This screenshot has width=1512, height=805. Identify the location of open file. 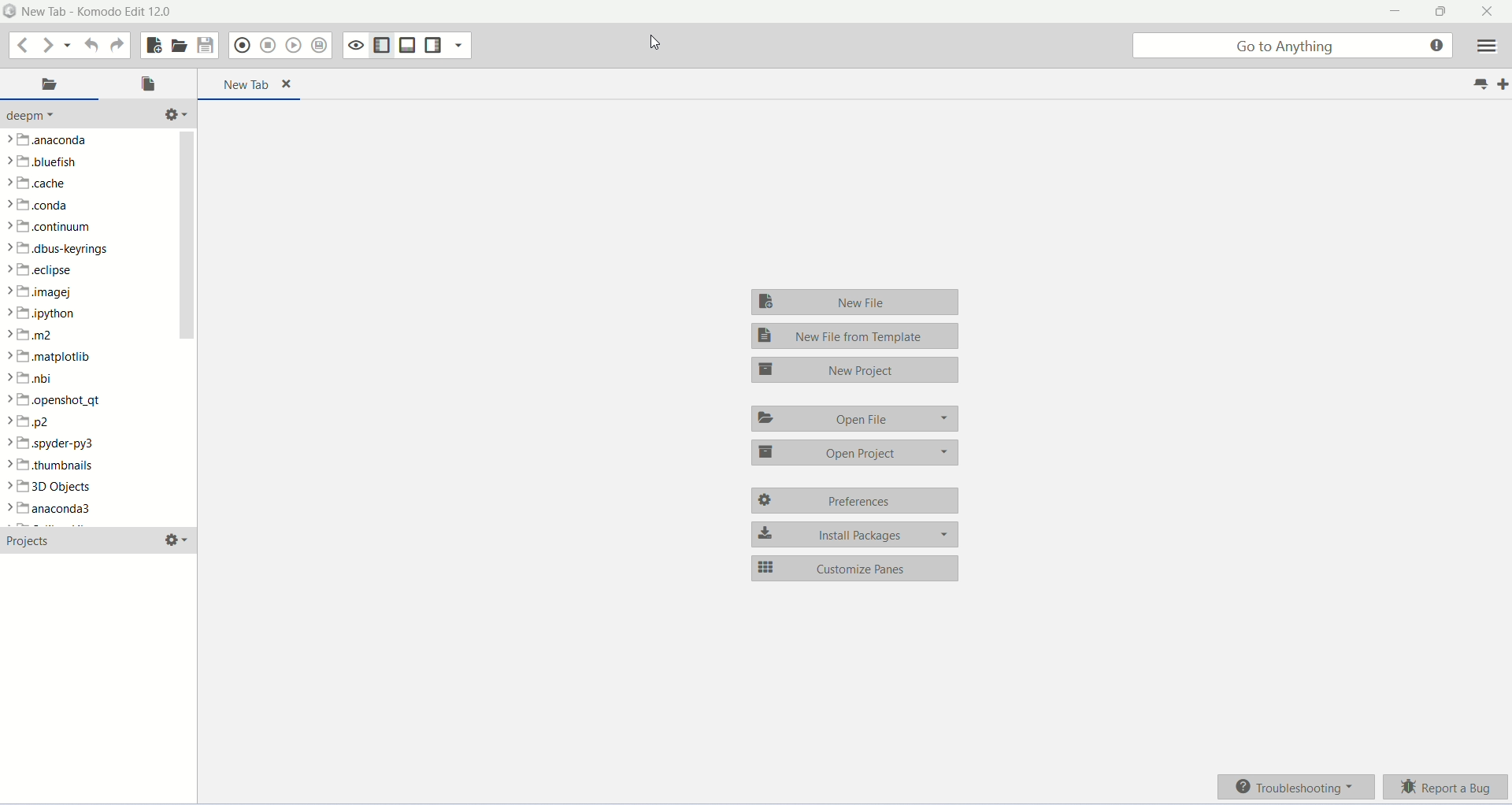
(148, 83).